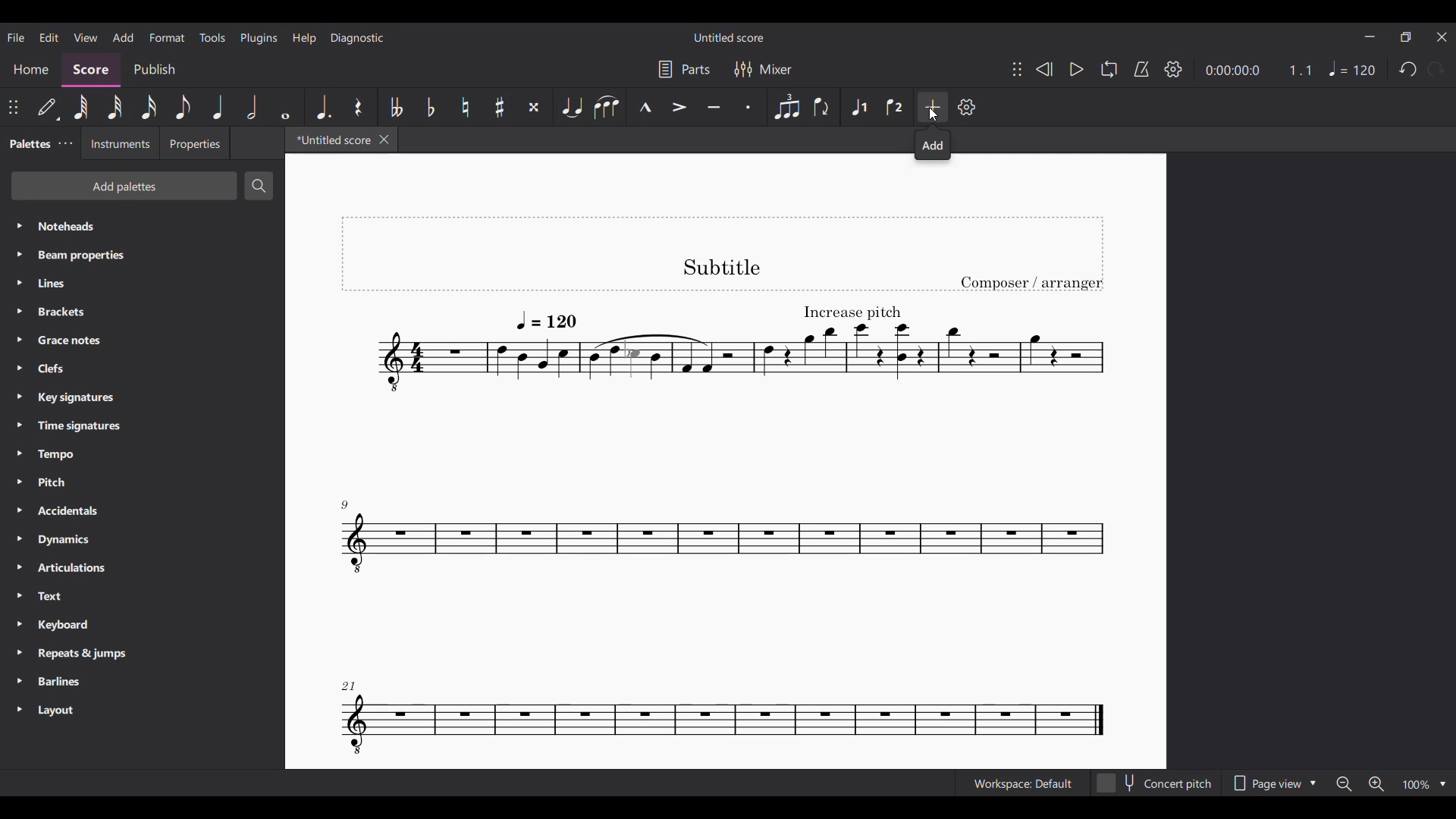 The height and width of the screenshot is (819, 1456). I want to click on Instruments, so click(119, 143).